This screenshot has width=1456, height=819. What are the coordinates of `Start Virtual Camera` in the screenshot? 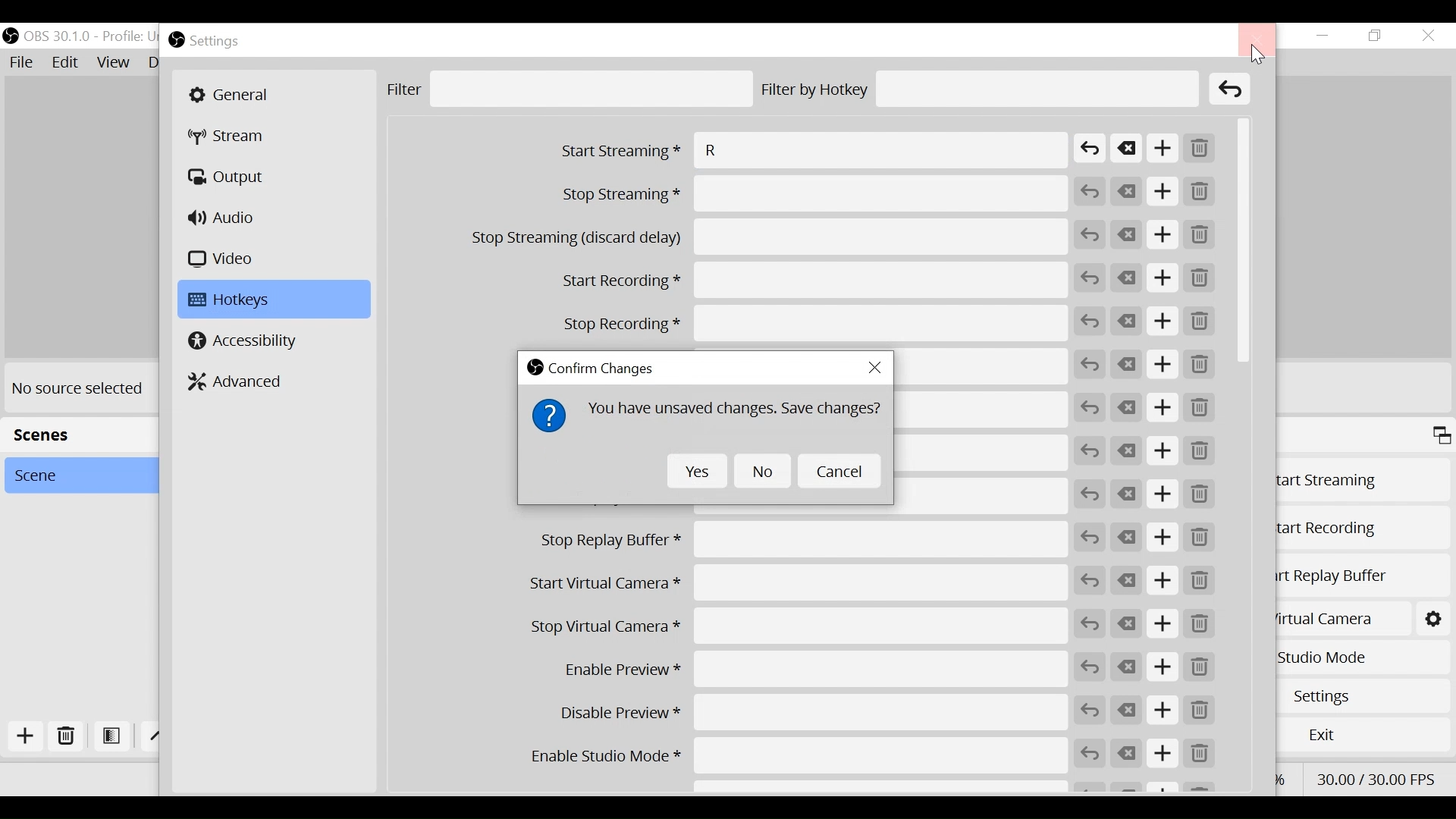 It's located at (1340, 617).